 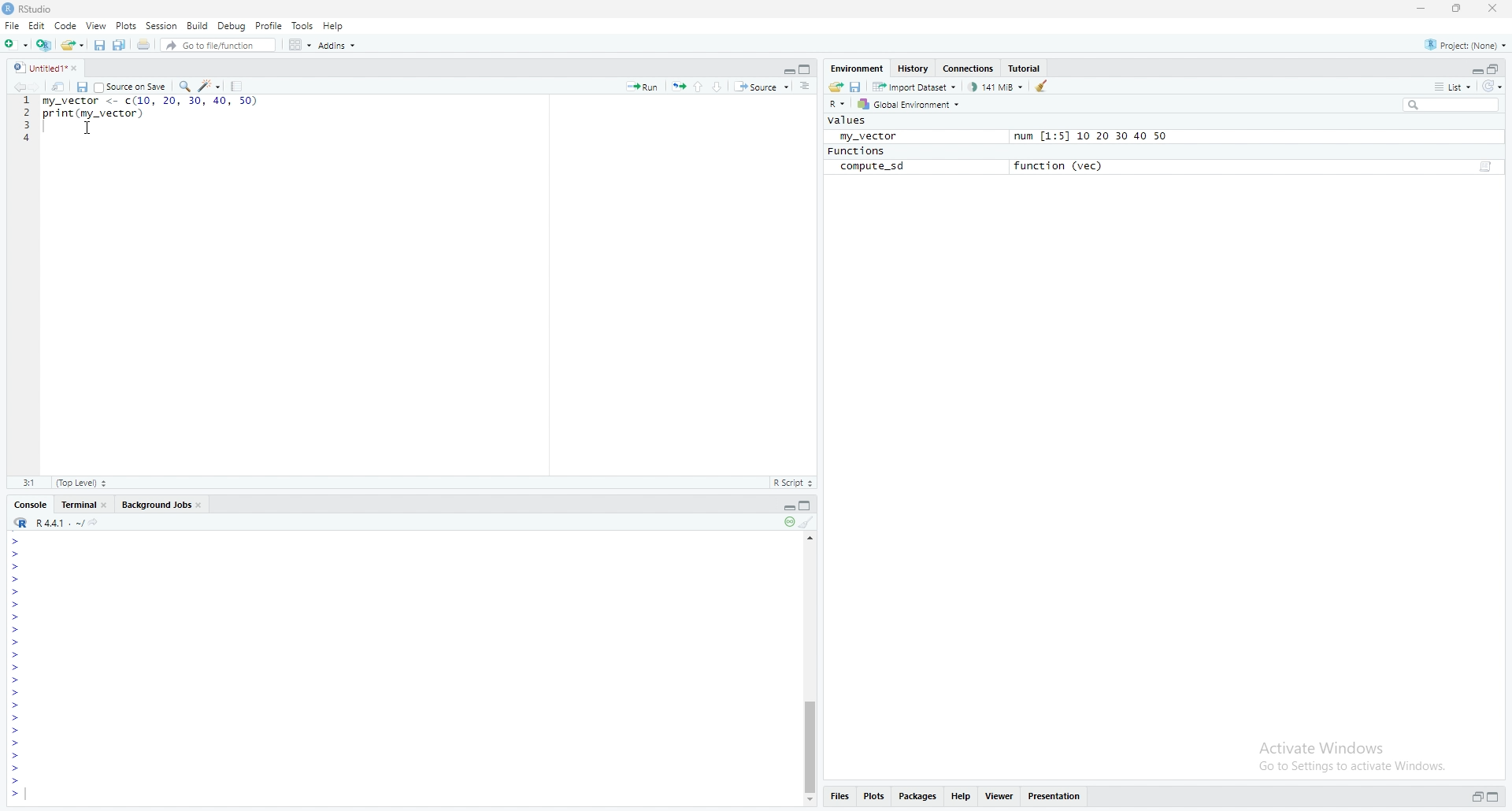 What do you see at coordinates (642, 86) in the screenshot?
I see `Run the current line or selection ( Ctrl + Enter)` at bounding box center [642, 86].